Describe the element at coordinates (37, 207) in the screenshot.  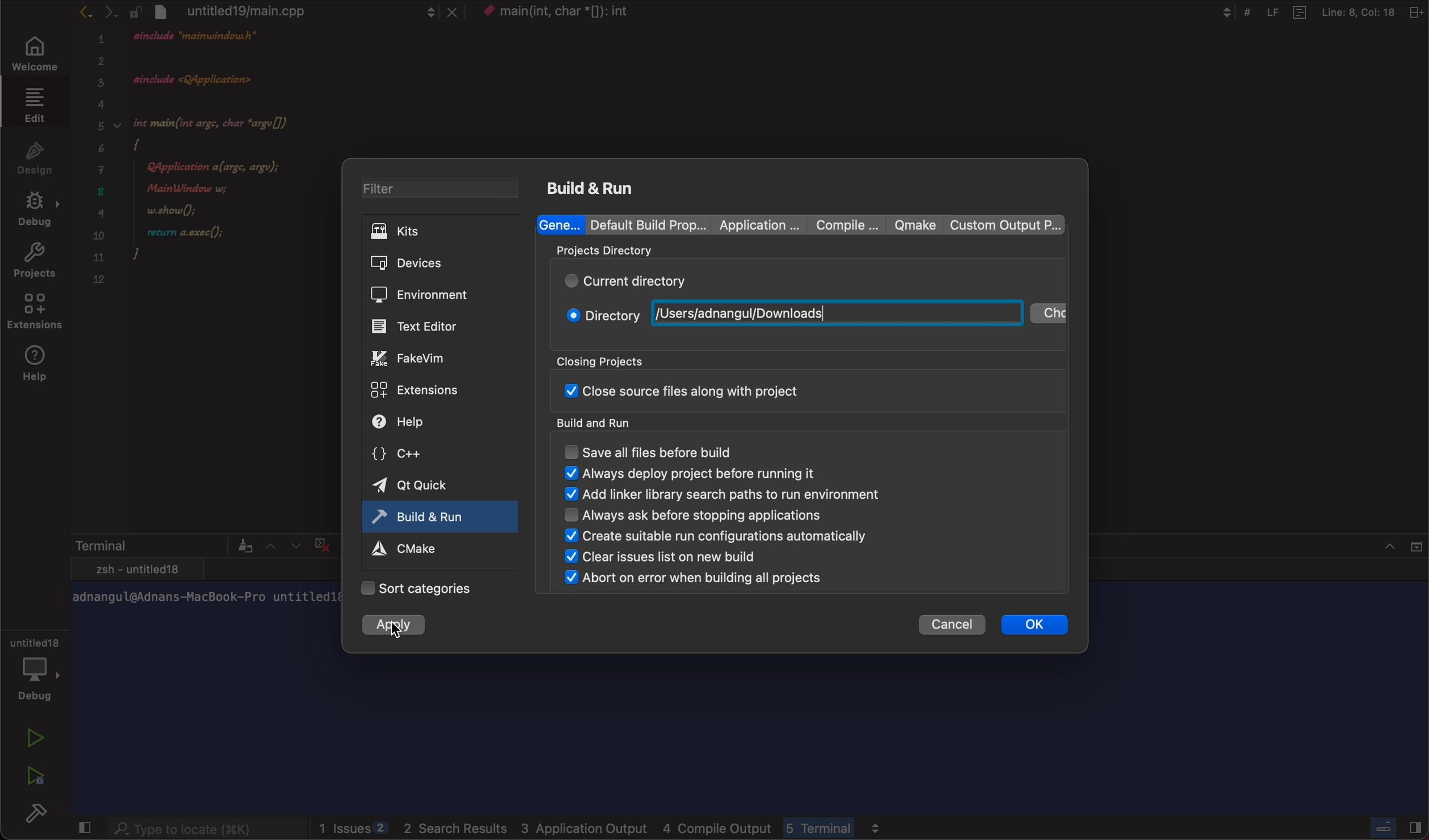
I see `debug` at that location.